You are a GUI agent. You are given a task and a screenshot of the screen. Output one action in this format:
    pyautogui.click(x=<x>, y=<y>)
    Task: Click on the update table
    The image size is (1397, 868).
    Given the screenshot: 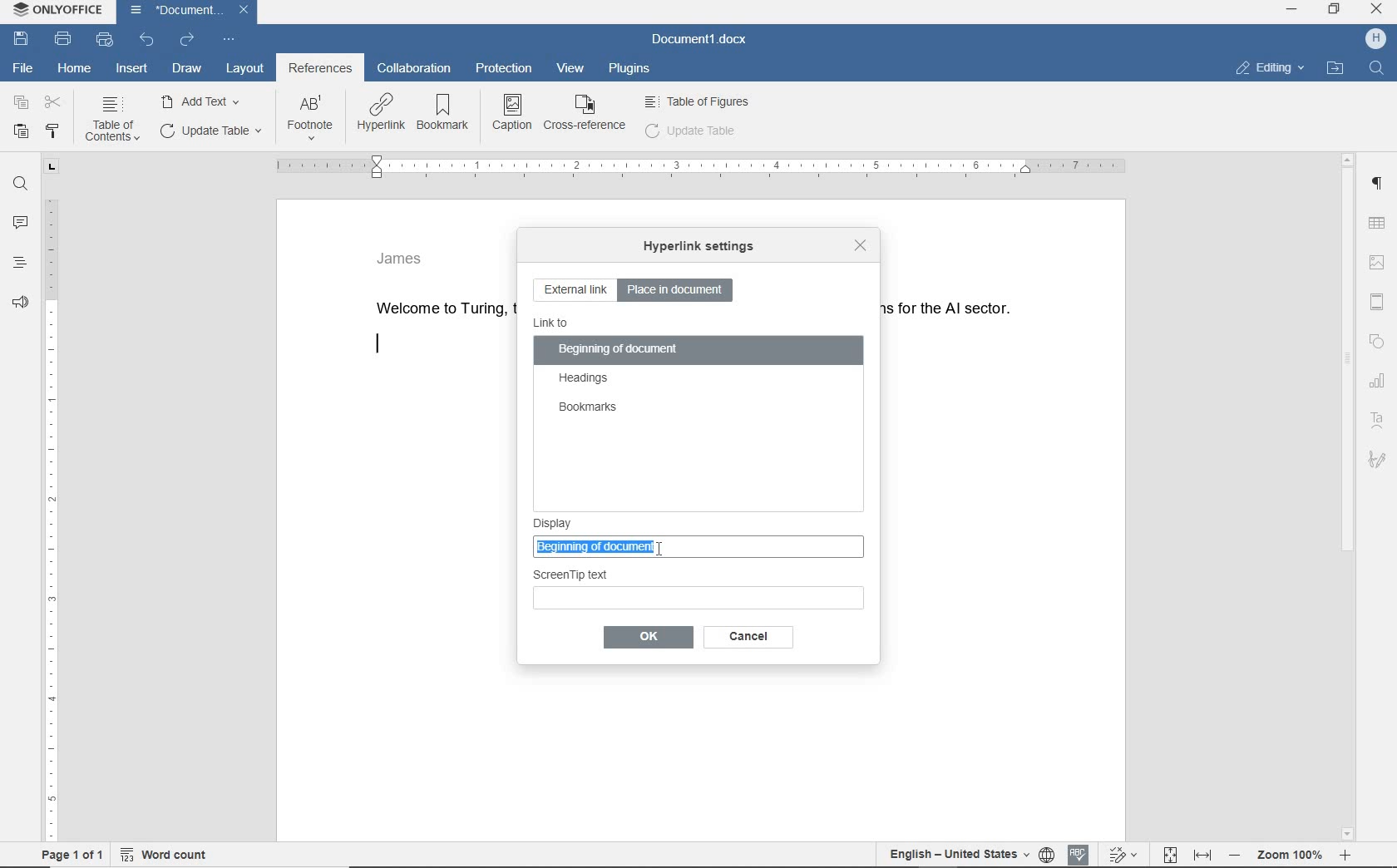 What is the action you would take?
    pyautogui.click(x=691, y=131)
    